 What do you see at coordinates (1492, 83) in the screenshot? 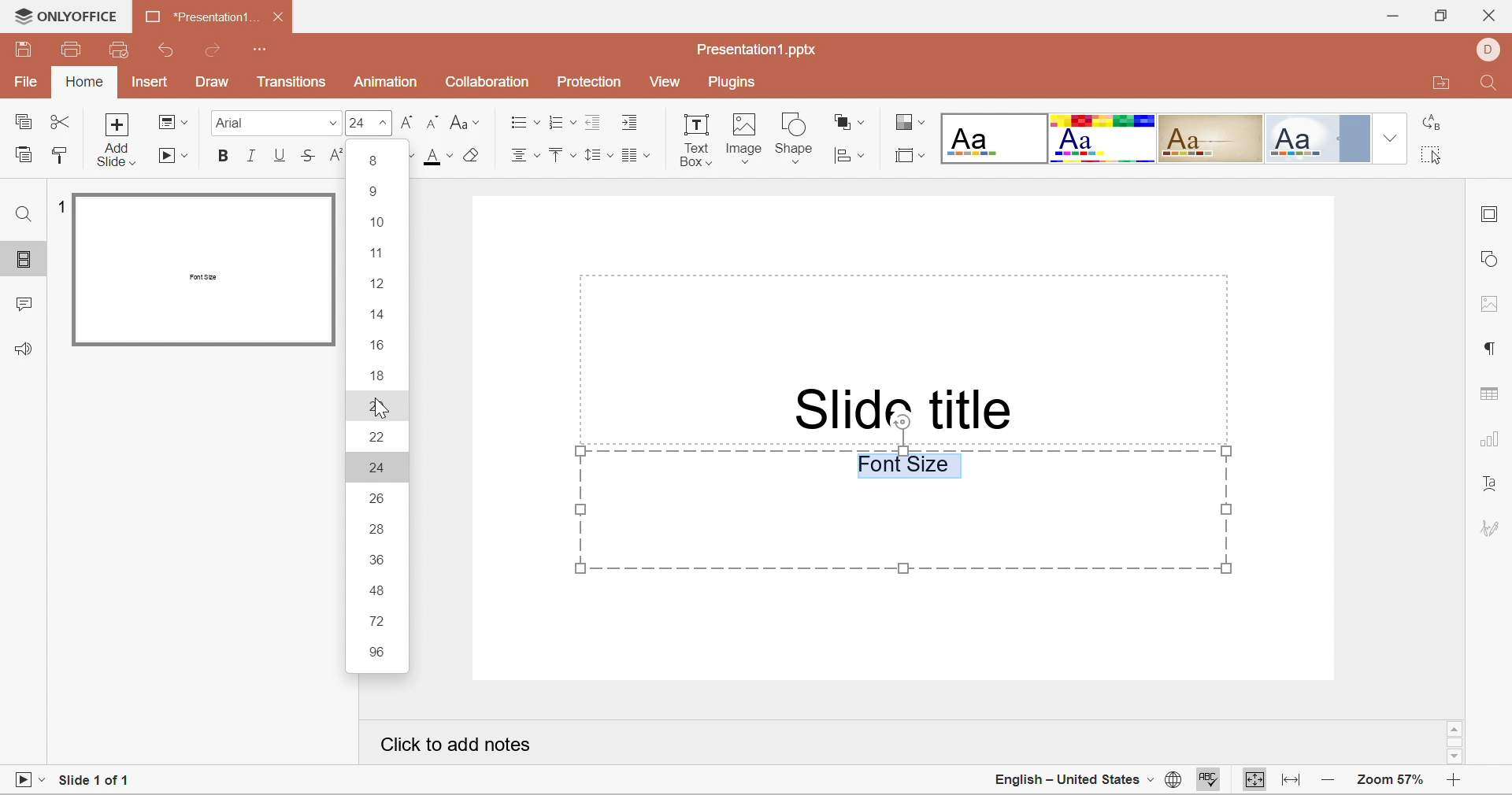
I see `Find` at bounding box center [1492, 83].